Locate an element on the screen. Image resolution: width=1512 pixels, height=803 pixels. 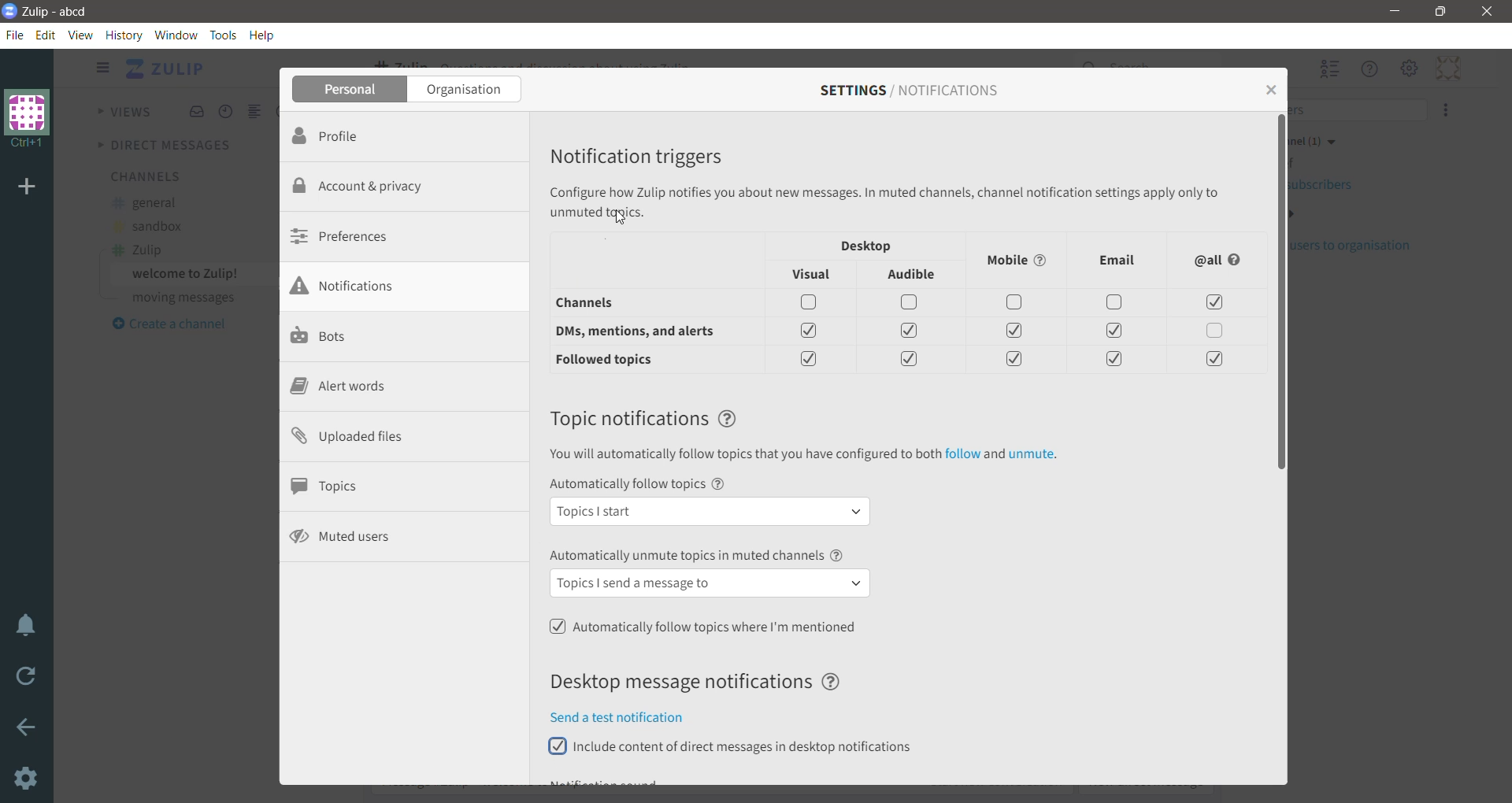
Tools is located at coordinates (225, 35).